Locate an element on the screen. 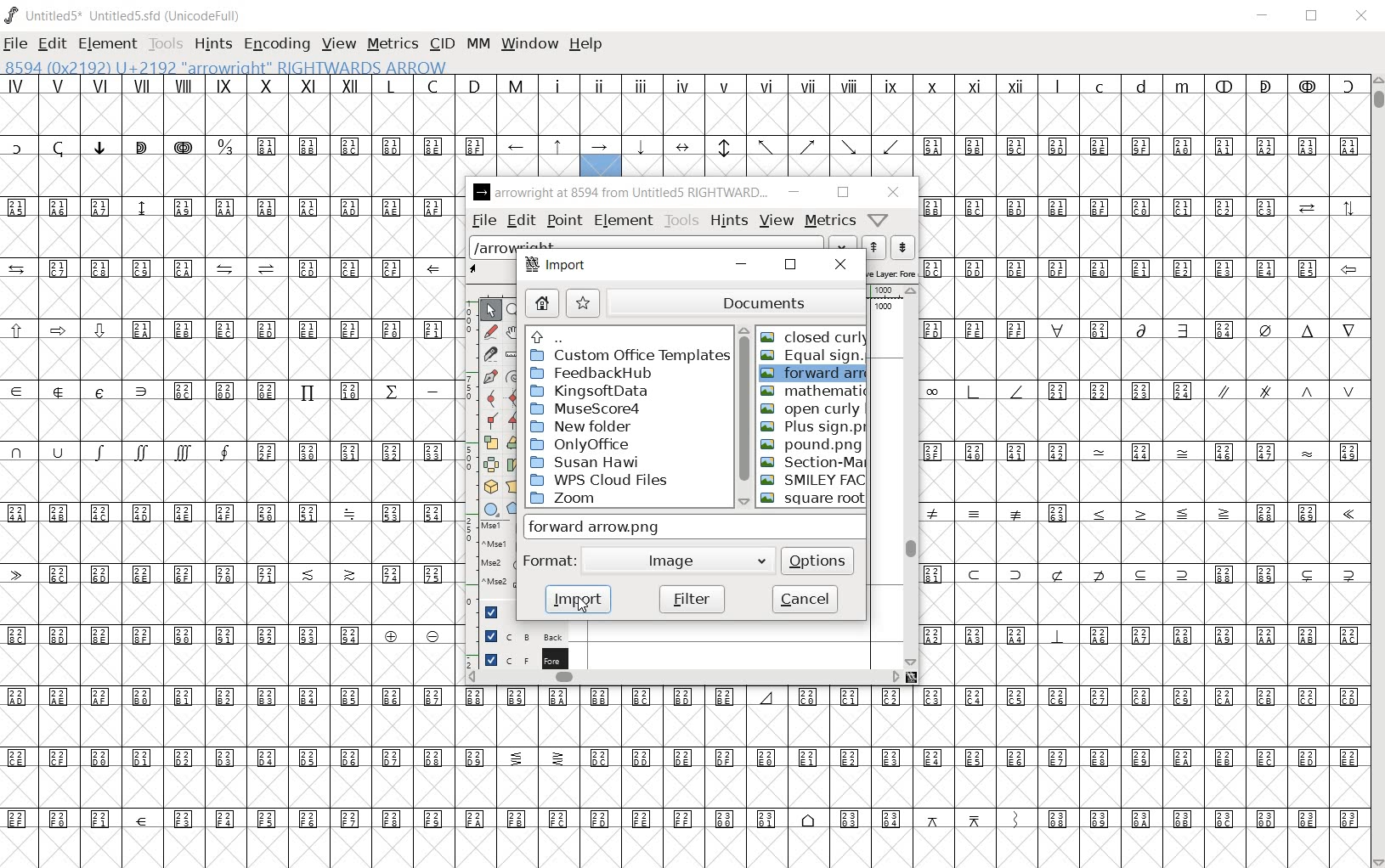 The width and height of the screenshot is (1385, 868). TOOLS is located at coordinates (164, 45).